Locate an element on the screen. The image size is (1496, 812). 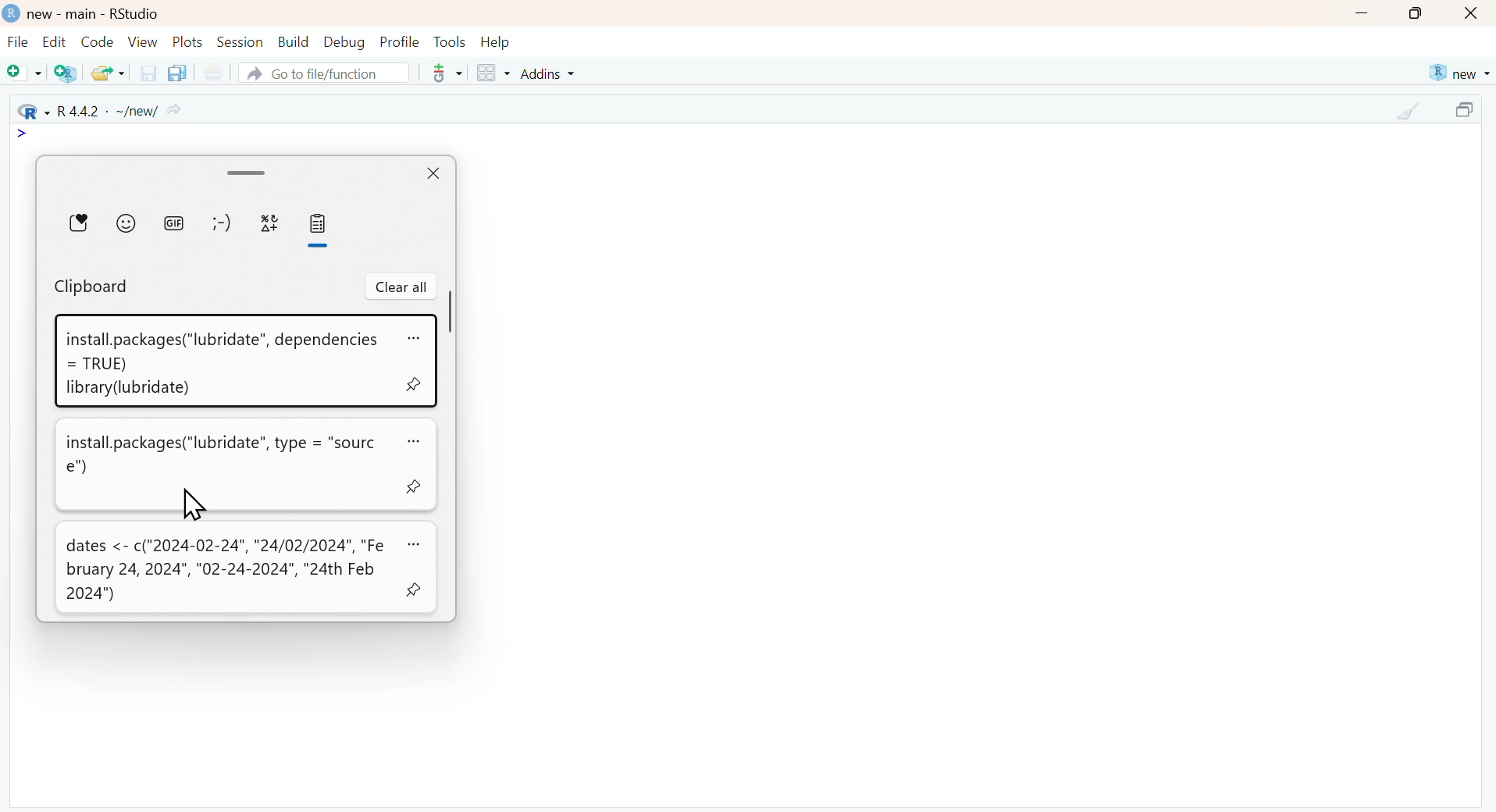
pin is located at coordinates (412, 386).